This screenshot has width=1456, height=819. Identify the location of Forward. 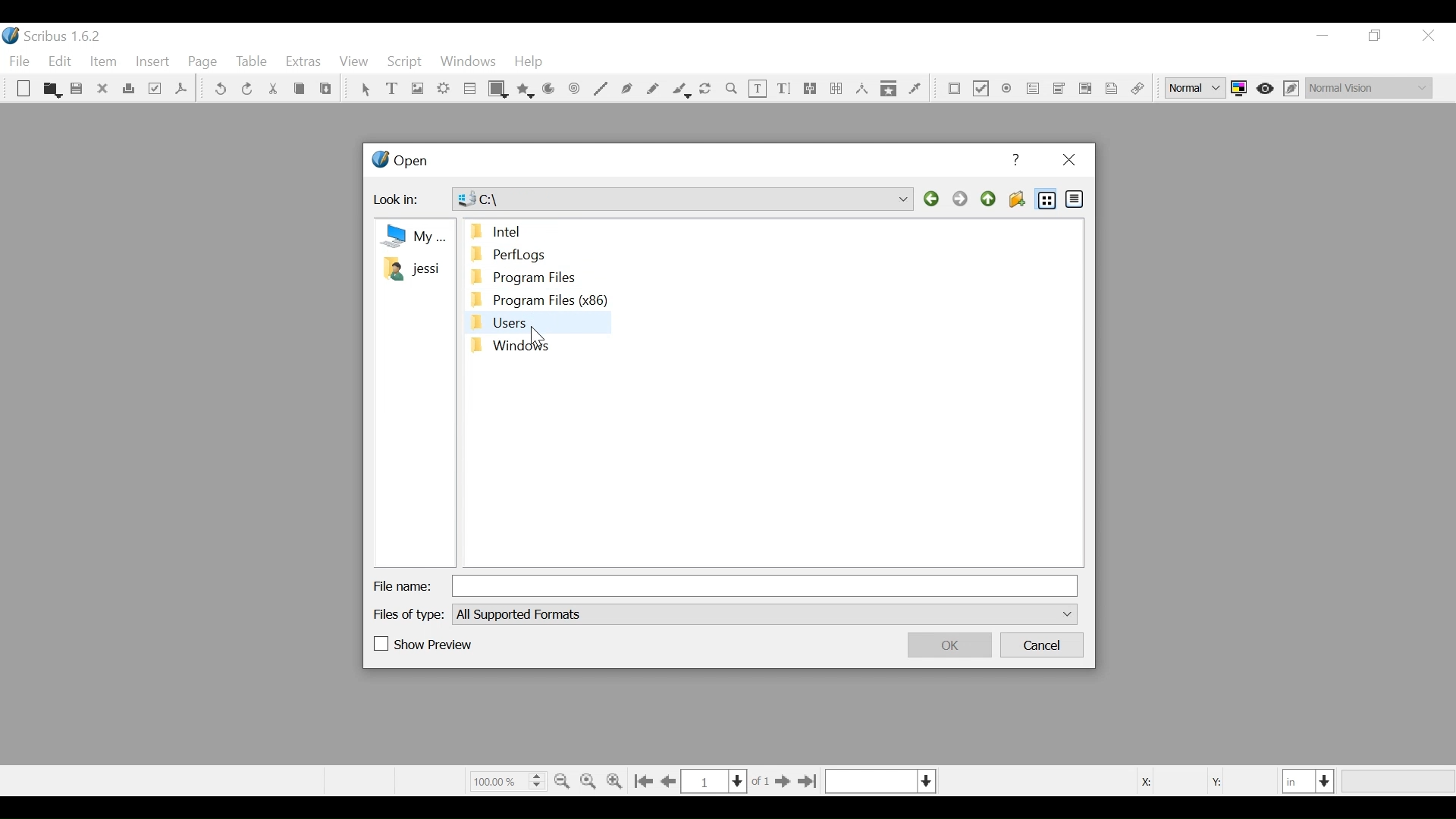
(962, 199).